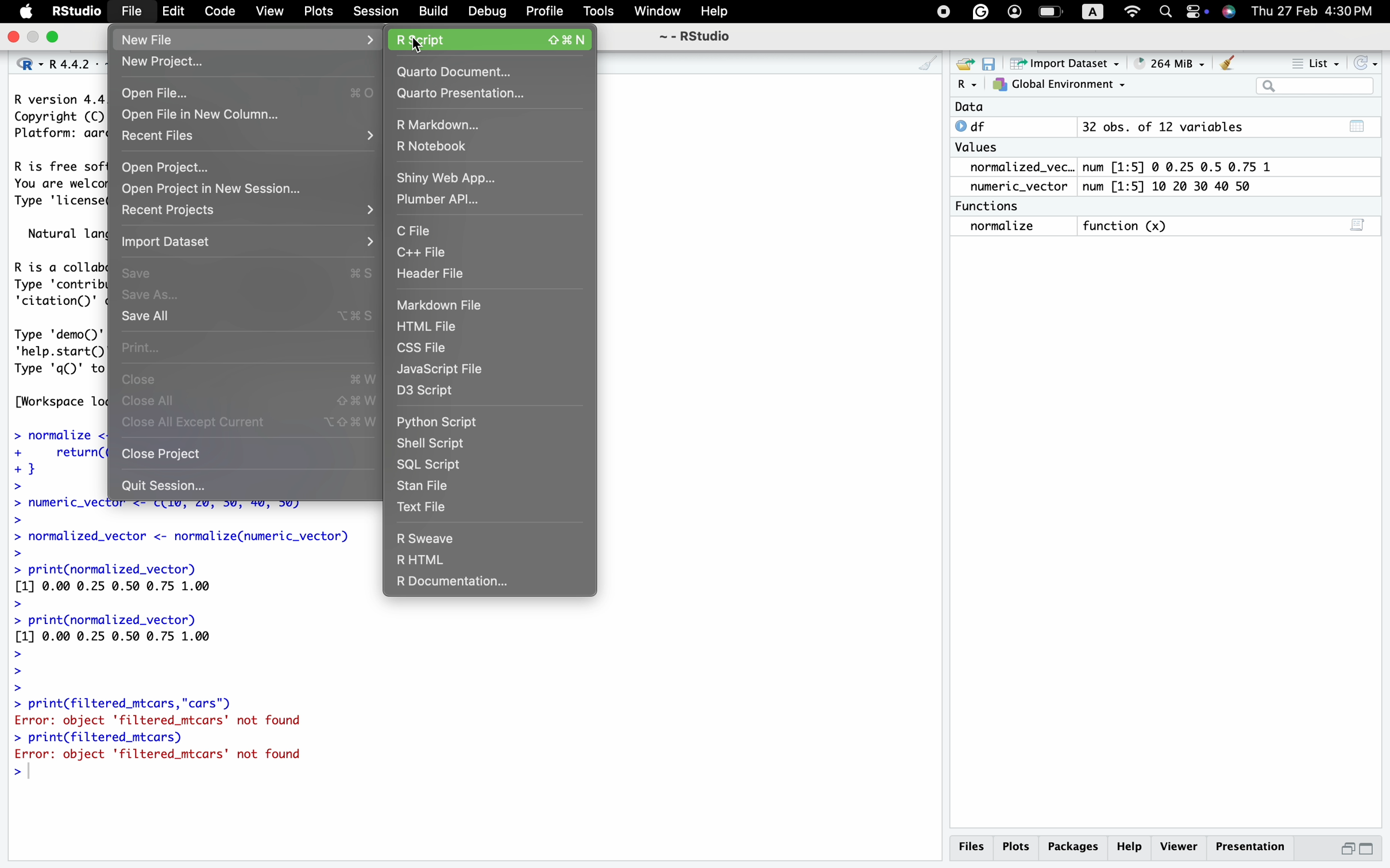 This screenshot has width=1390, height=868. Describe the element at coordinates (57, 186) in the screenshot. I see `R is free sof
You are welcor
Type 'licensel` at that location.